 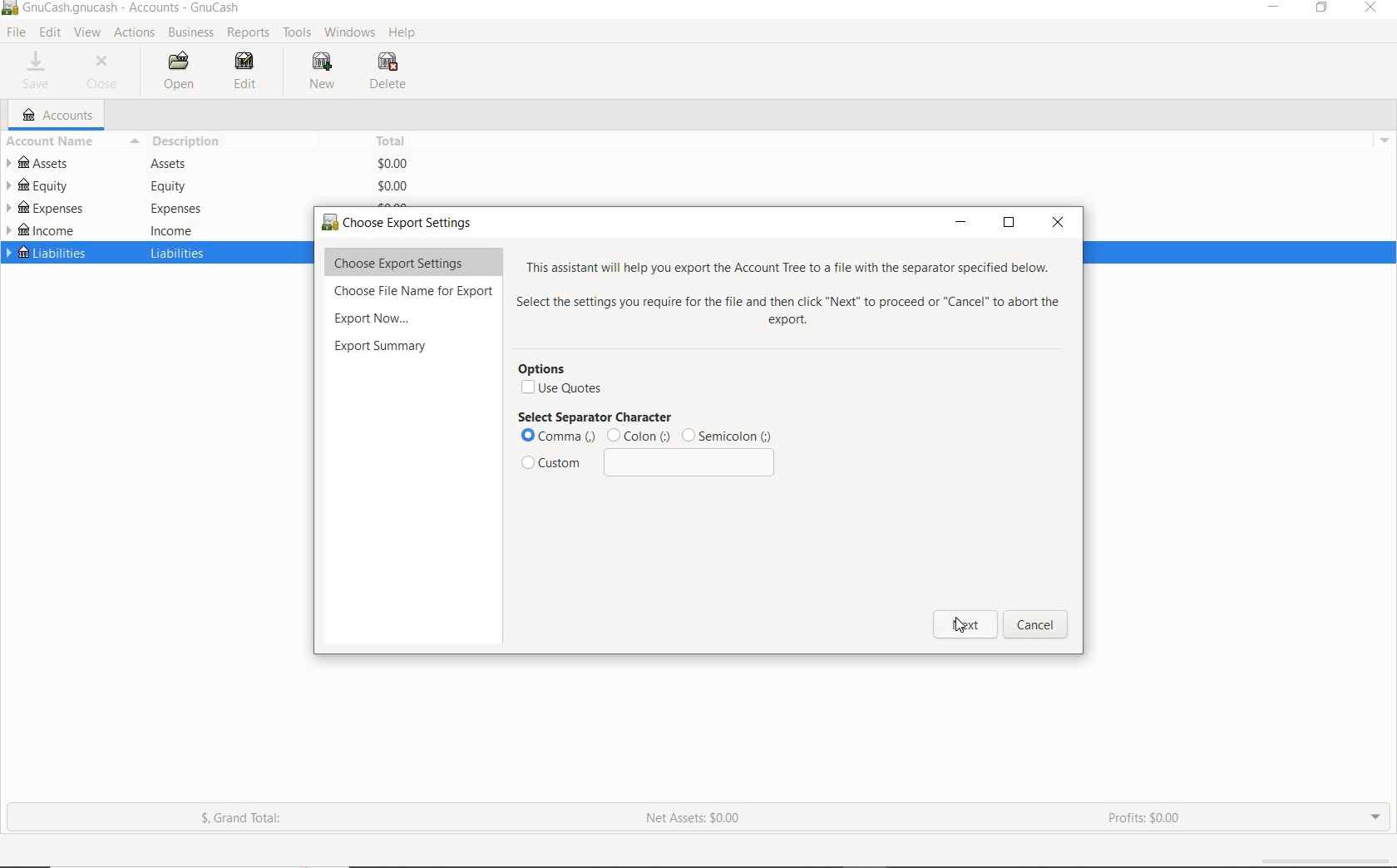 I want to click on EDIT, so click(x=241, y=73).